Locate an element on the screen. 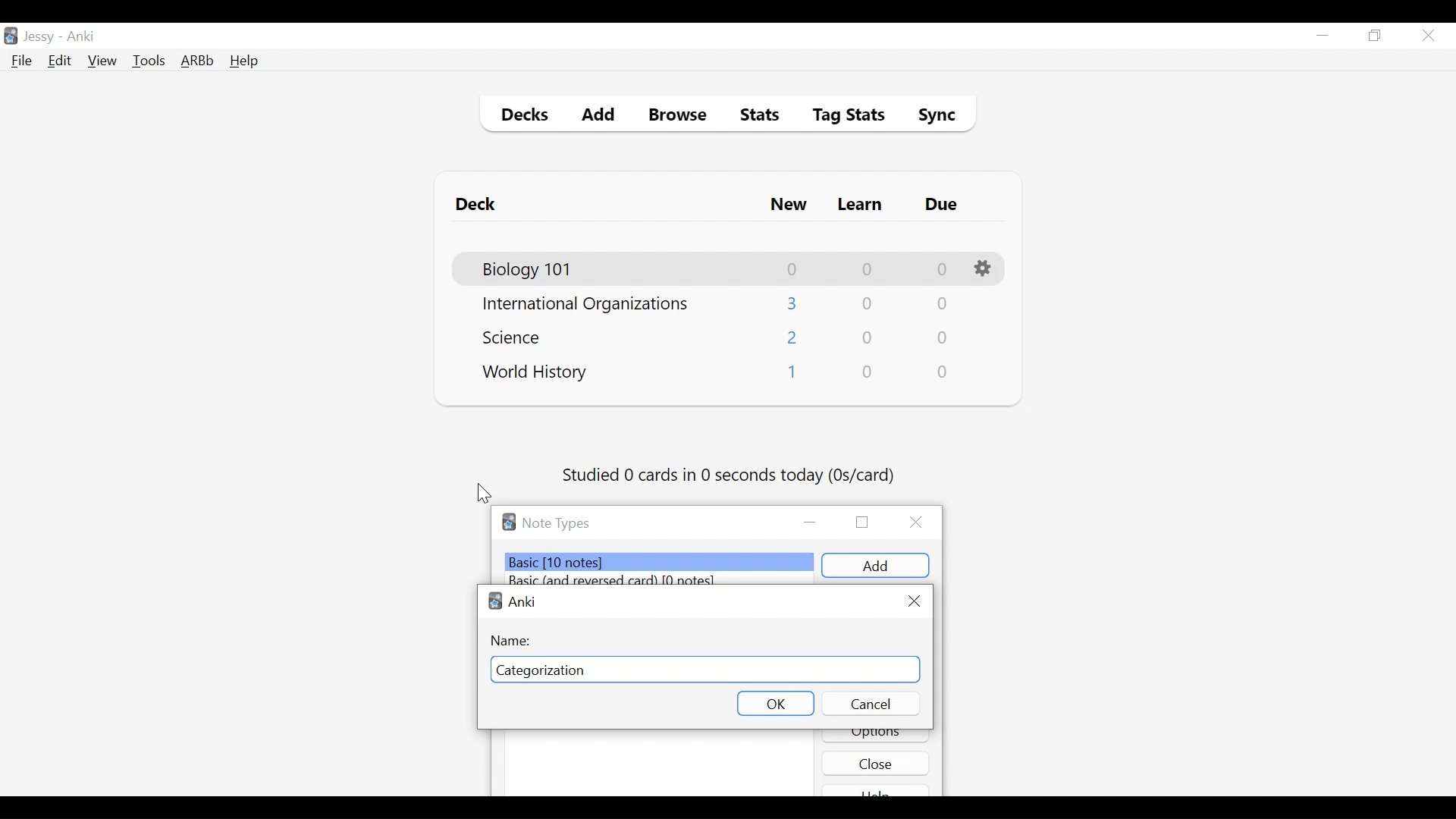 This screenshot has height=819, width=1456. Studied number of cards in second today (os/card) is located at coordinates (730, 476).